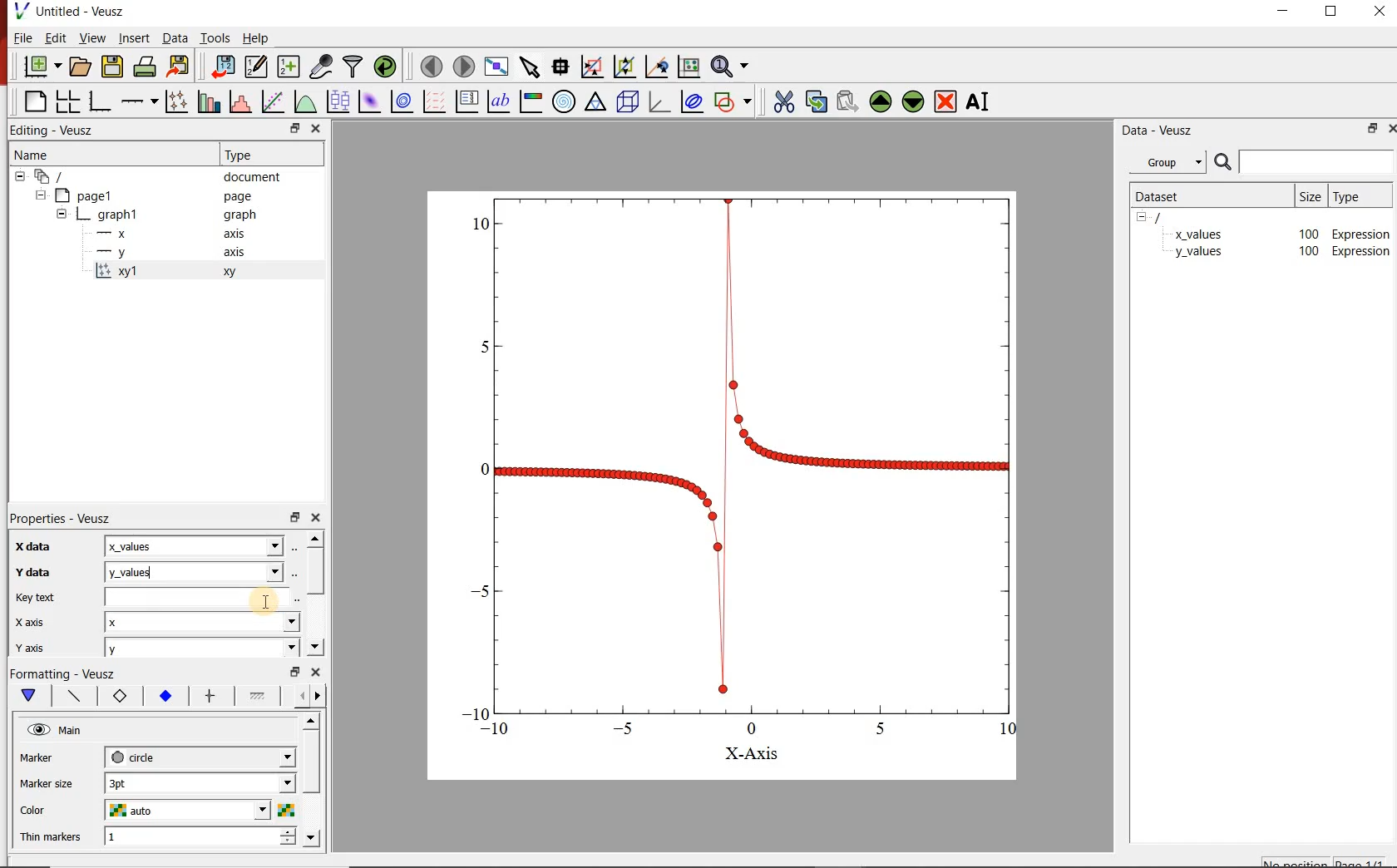 This screenshot has height=868, width=1397. What do you see at coordinates (120, 214) in the screenshot?
I see `graph1` at bounding box center [120, 214].